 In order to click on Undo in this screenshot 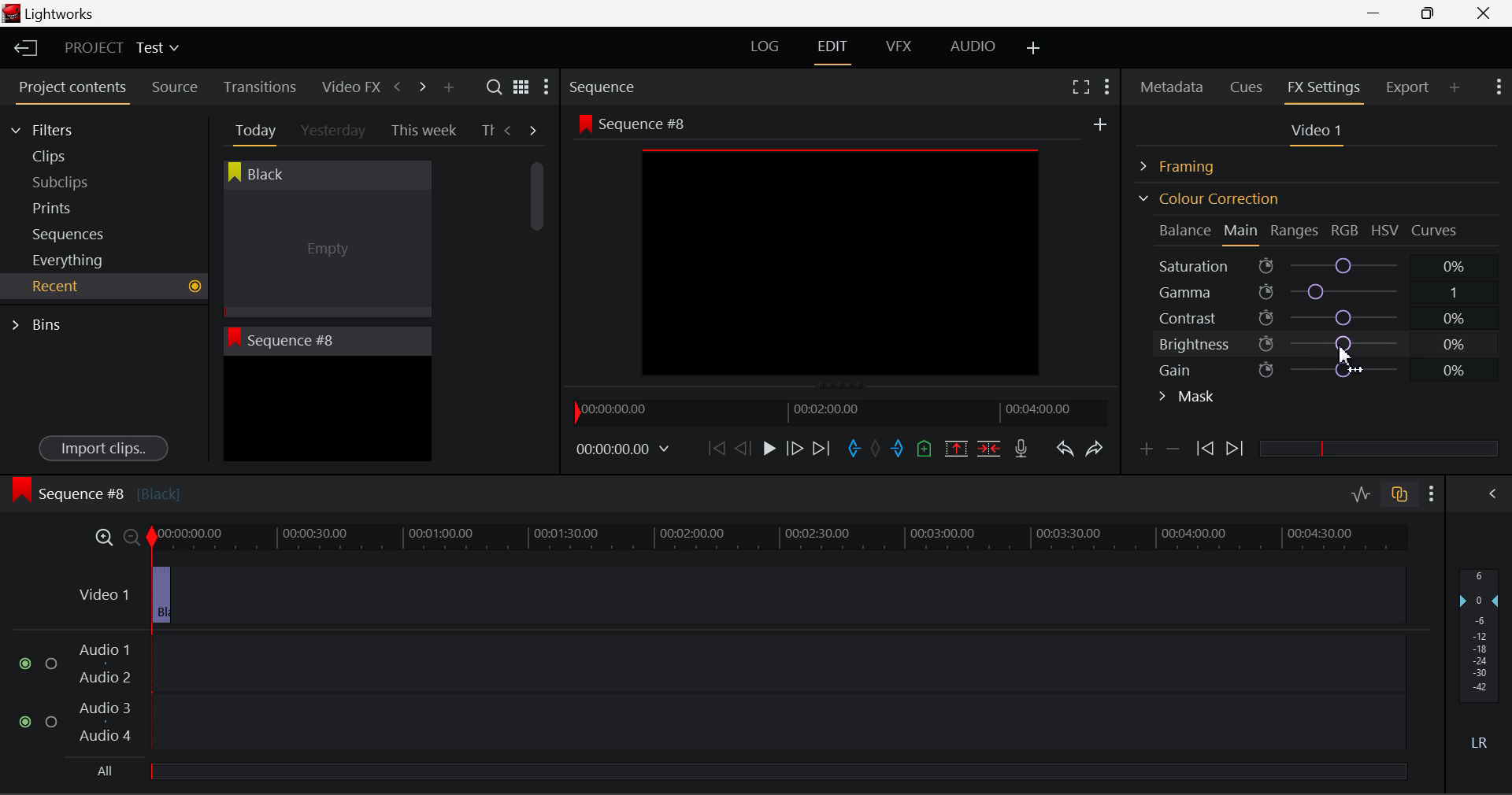, I will do `click(1064, 452)`.